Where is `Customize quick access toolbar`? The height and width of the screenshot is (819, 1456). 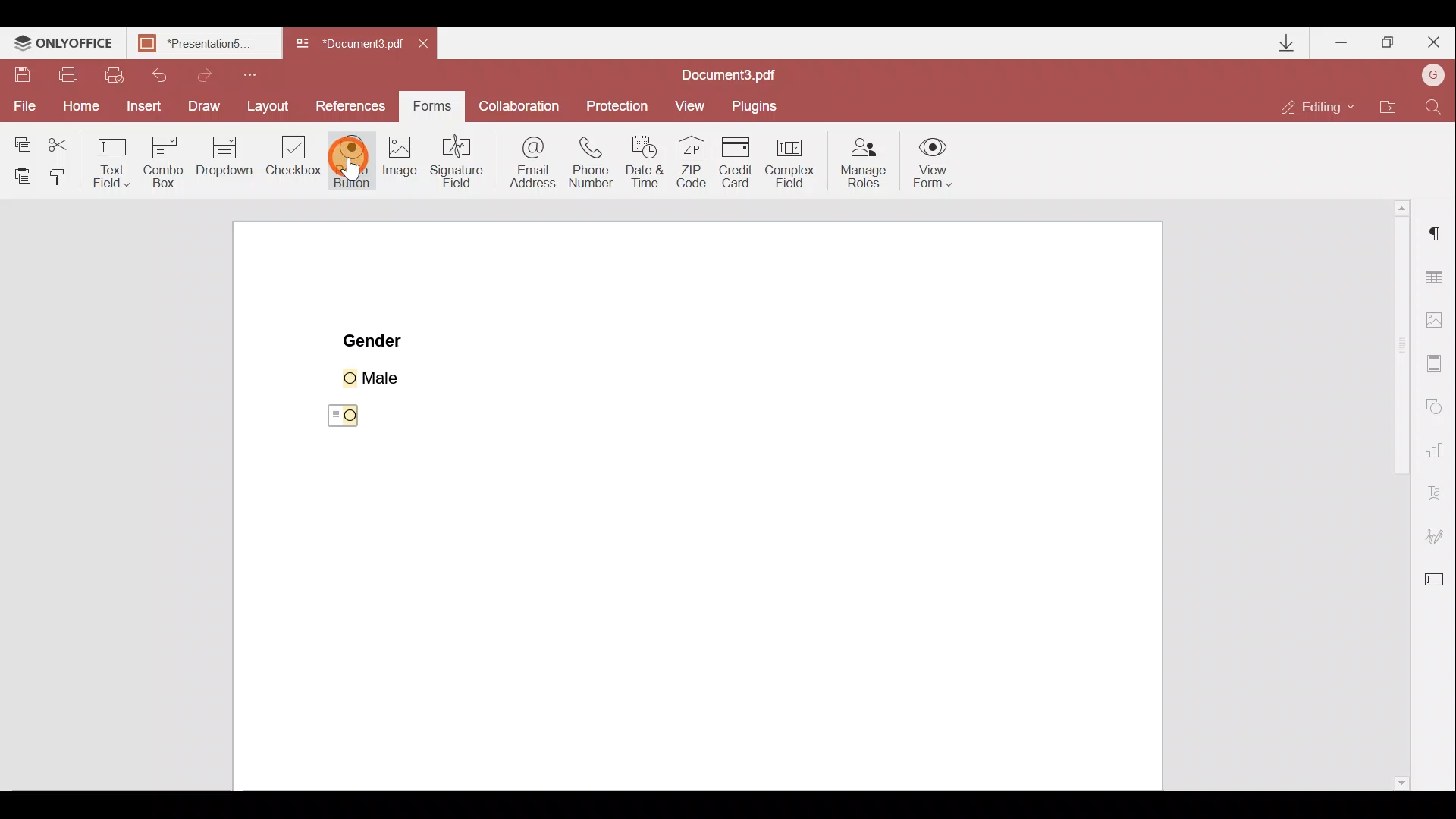 Customize quick access toolbar is located at coordinates (259, 73).